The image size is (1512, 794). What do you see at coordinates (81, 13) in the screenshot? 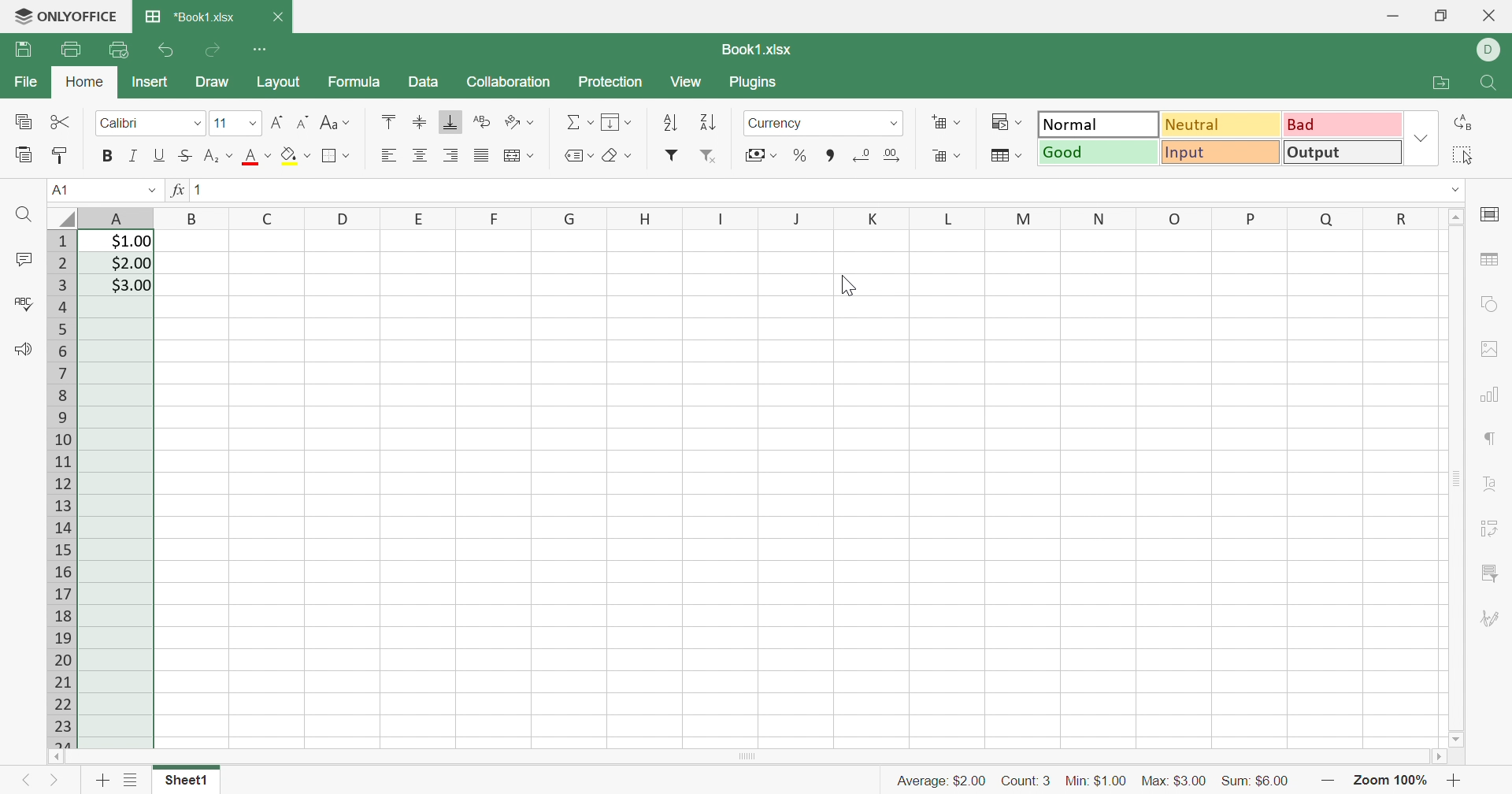
I see `ONLYOFFICE` at bounding box center [81, 13].